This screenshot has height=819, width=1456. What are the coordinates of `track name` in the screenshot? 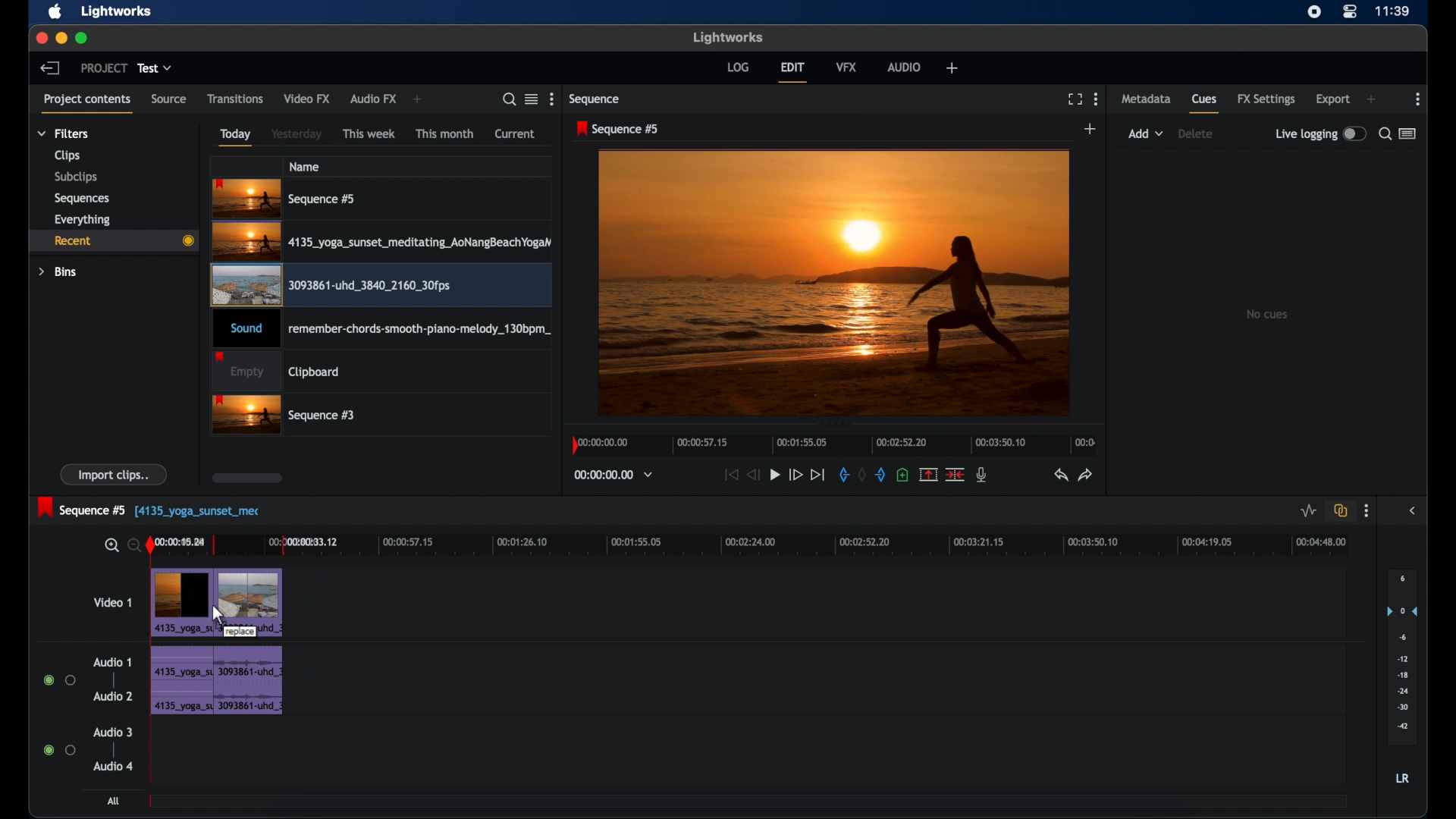 It's located at (223, 512).